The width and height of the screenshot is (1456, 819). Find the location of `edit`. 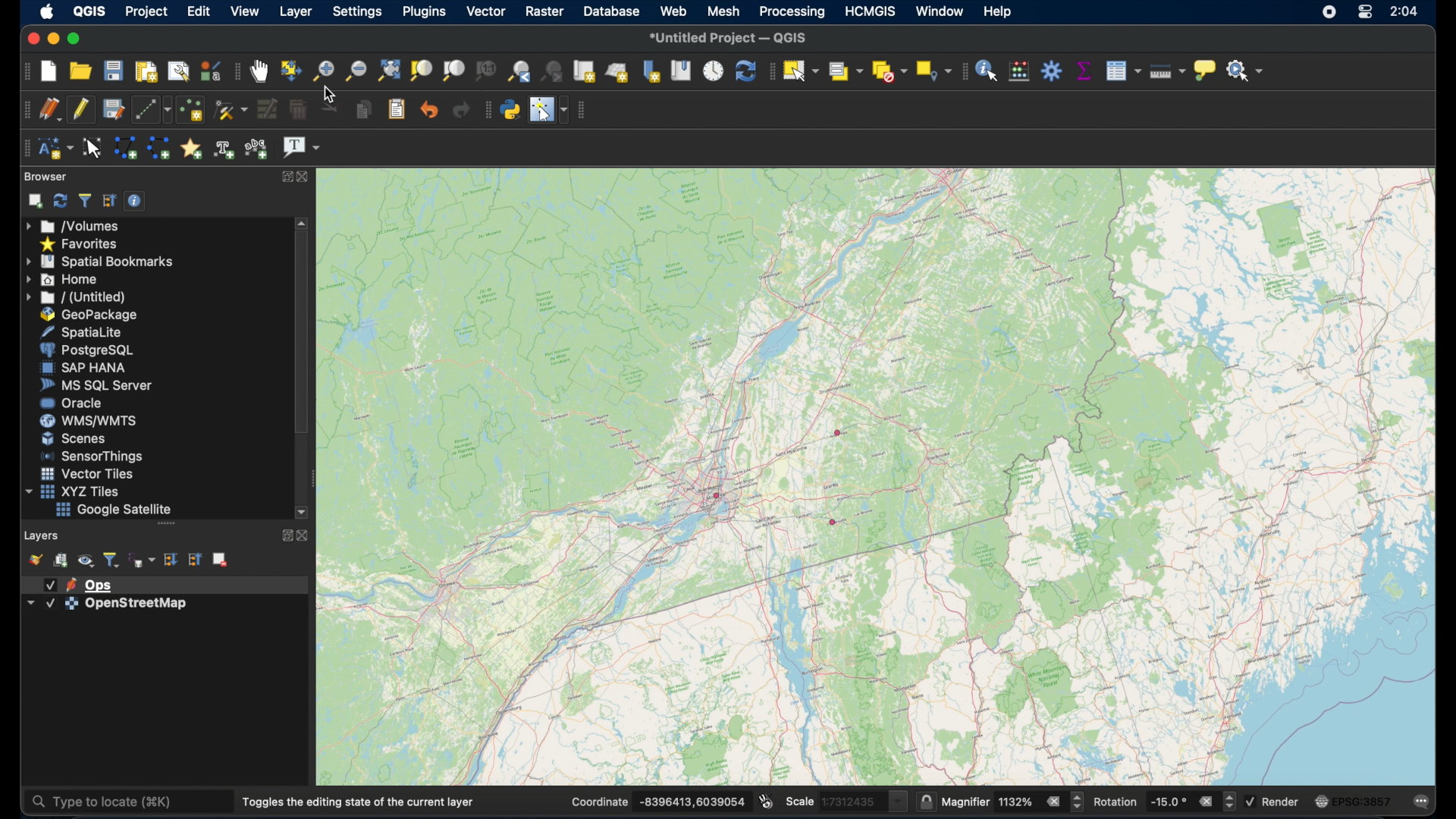

edit is located at coordinates (199, 12).